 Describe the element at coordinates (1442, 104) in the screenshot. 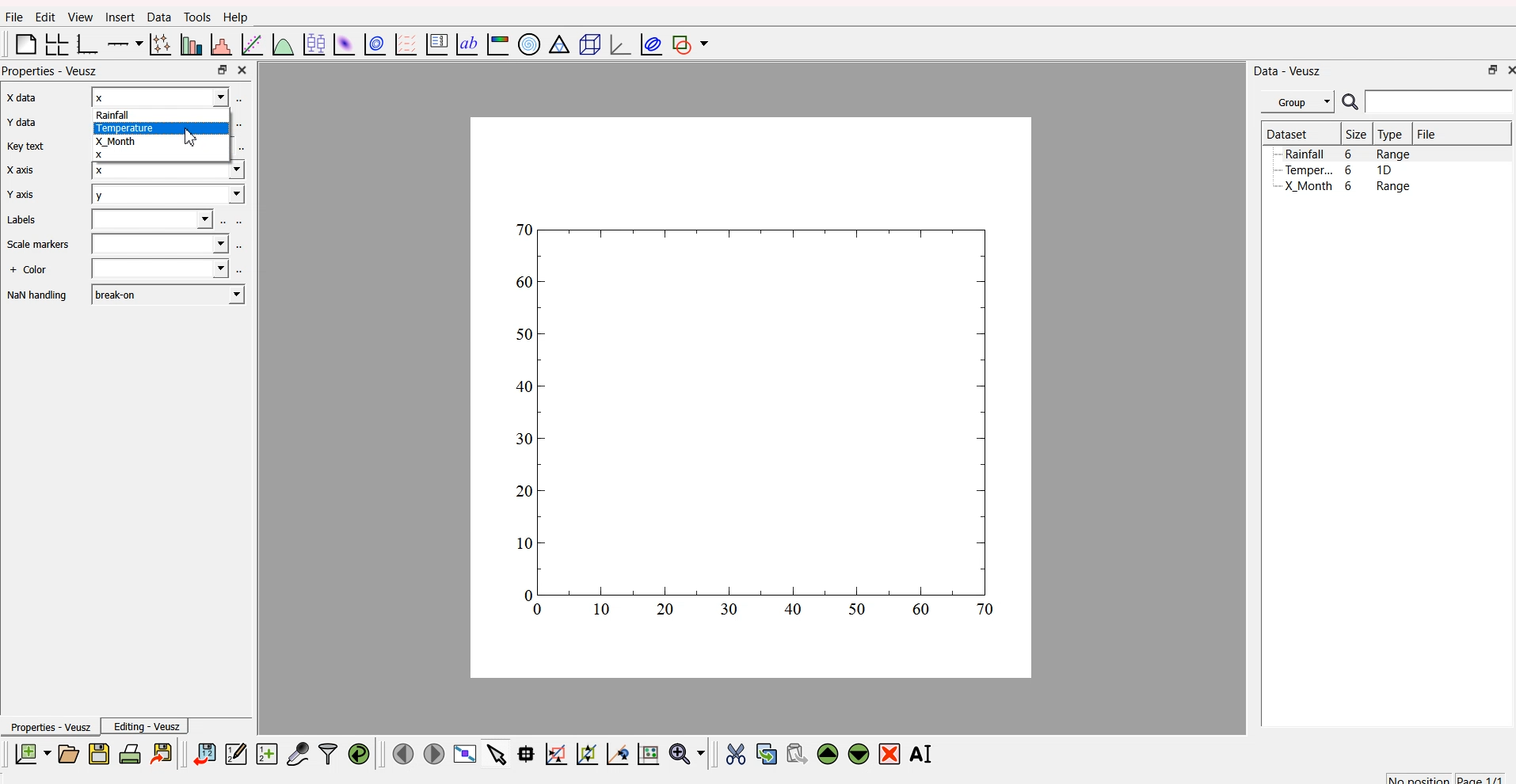

I see `search bar` at that location.